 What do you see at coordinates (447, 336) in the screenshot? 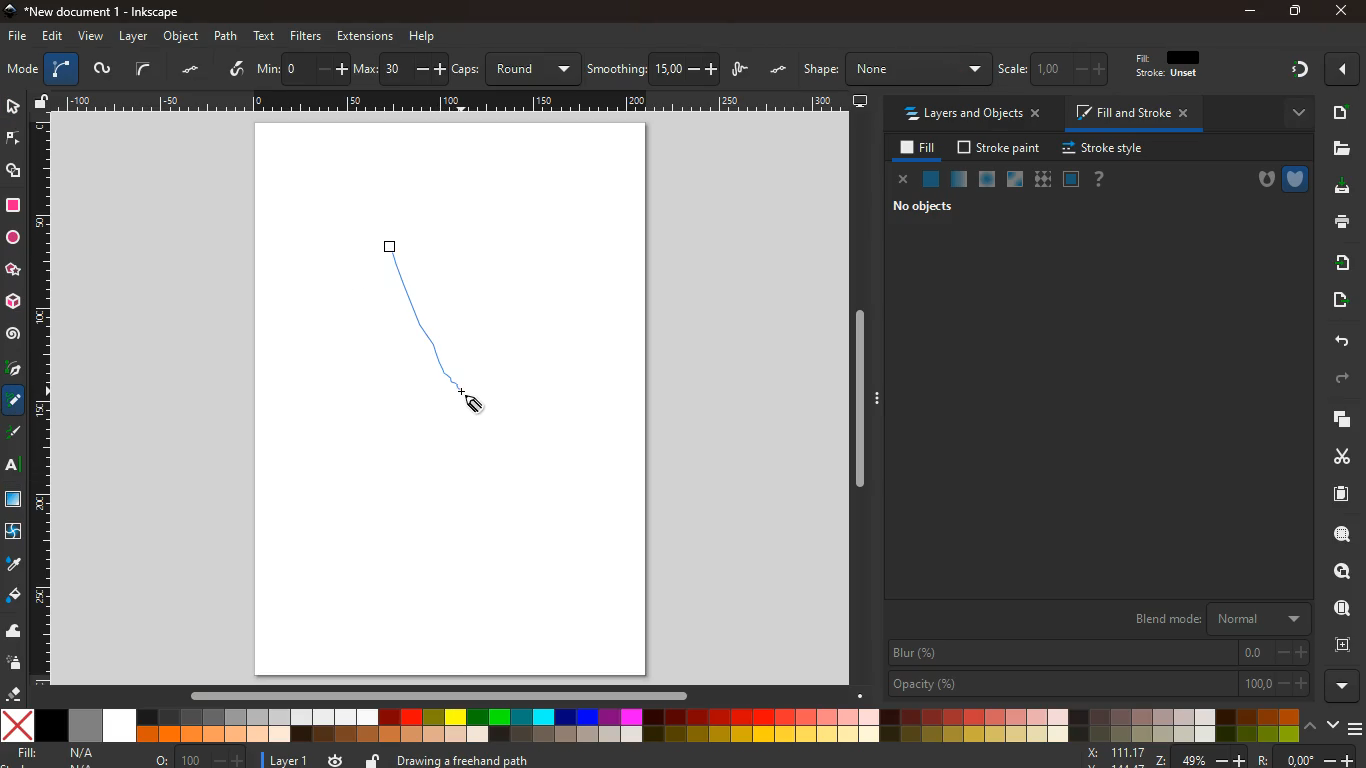
I see `draw` at bounding box center [447, 336].